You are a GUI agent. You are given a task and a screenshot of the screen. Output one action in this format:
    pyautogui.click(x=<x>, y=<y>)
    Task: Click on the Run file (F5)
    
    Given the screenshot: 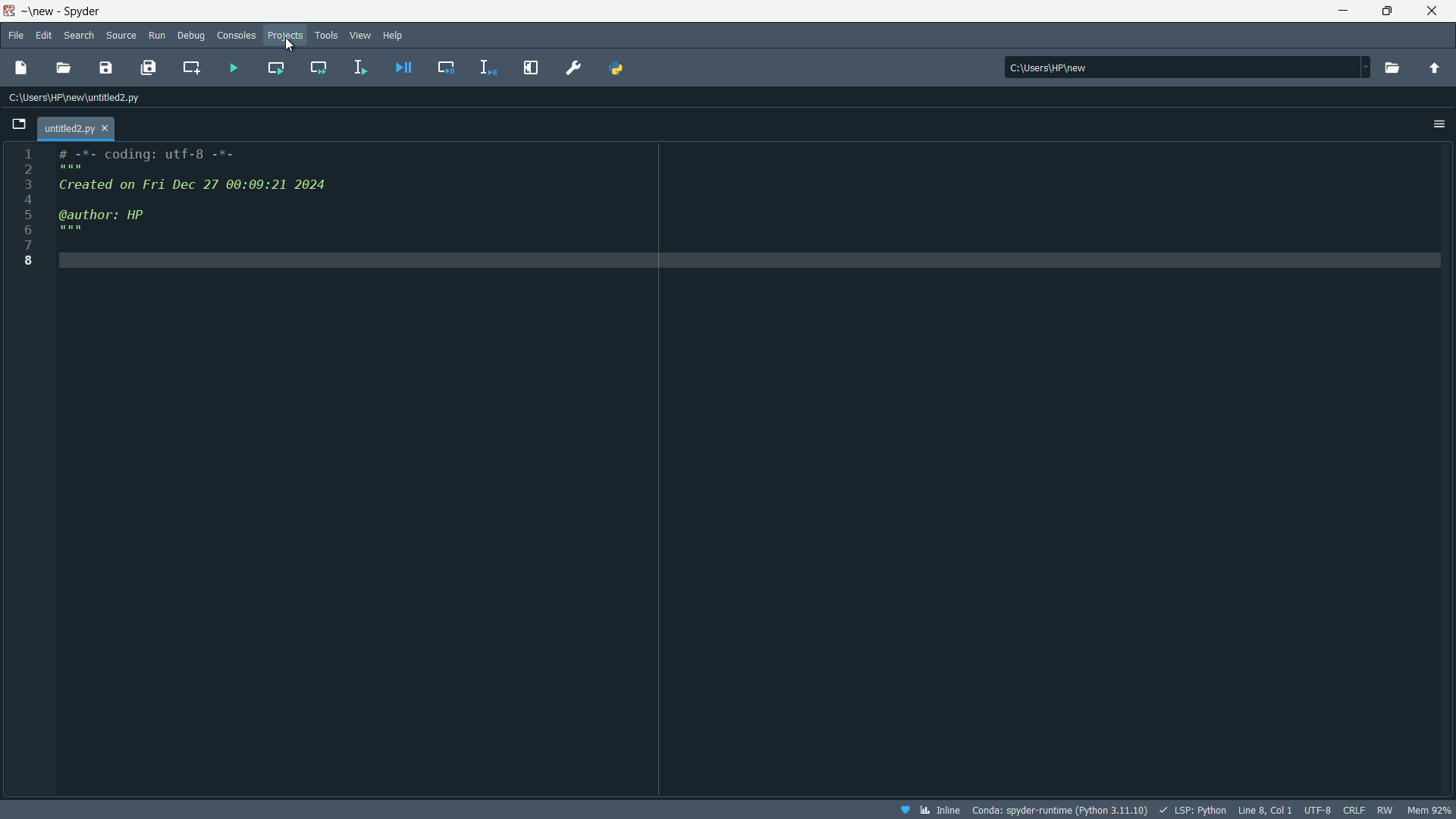 What is the action you would take?
    pyautogui.click(x=227, y=65)
    